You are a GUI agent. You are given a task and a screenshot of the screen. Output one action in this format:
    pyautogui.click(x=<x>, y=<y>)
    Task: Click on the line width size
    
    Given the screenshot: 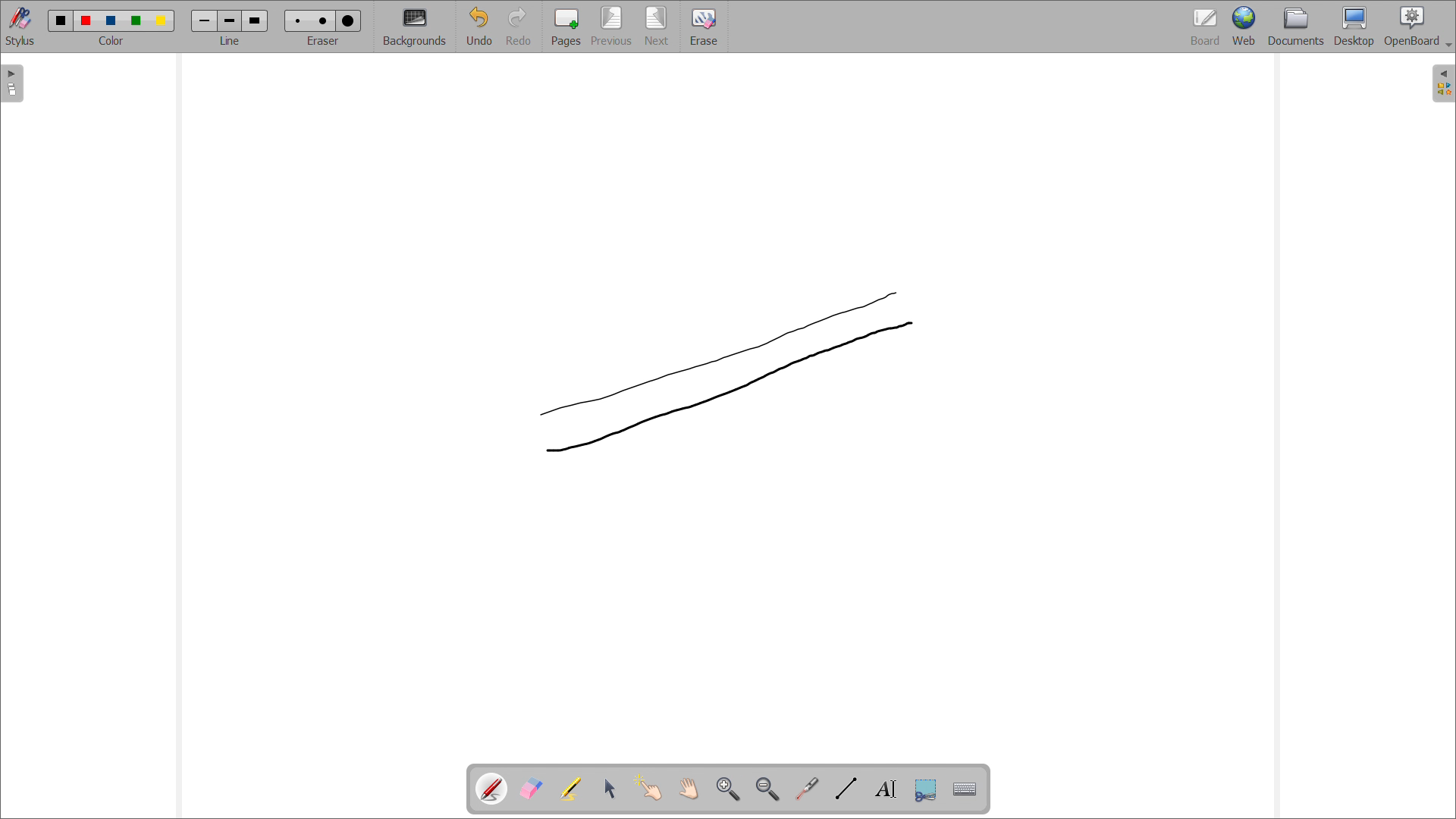 What is the action you would take?
    pyautogui.click(x=255, y=20)
    